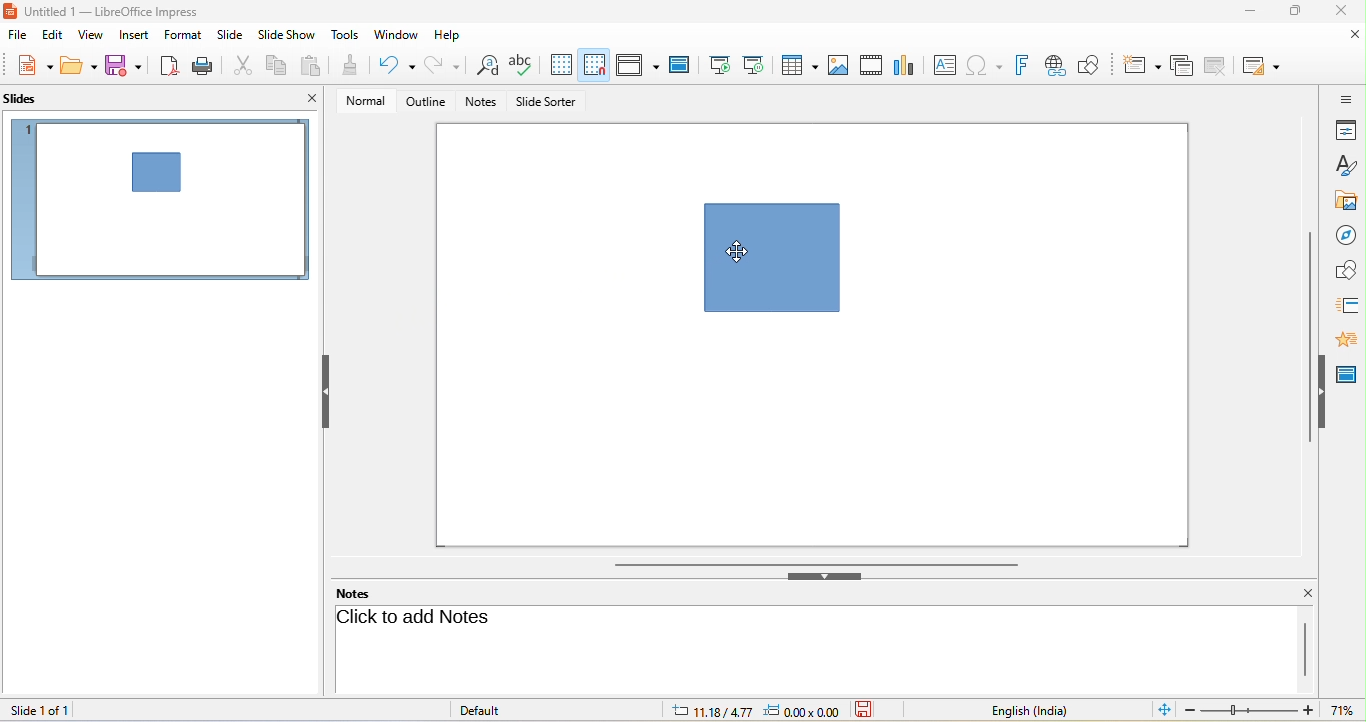 The height and width of the screenshot is (722, 1366). Describe the element at coordinates (1248, 11) in the screenshot. I see `minimize` at that location.